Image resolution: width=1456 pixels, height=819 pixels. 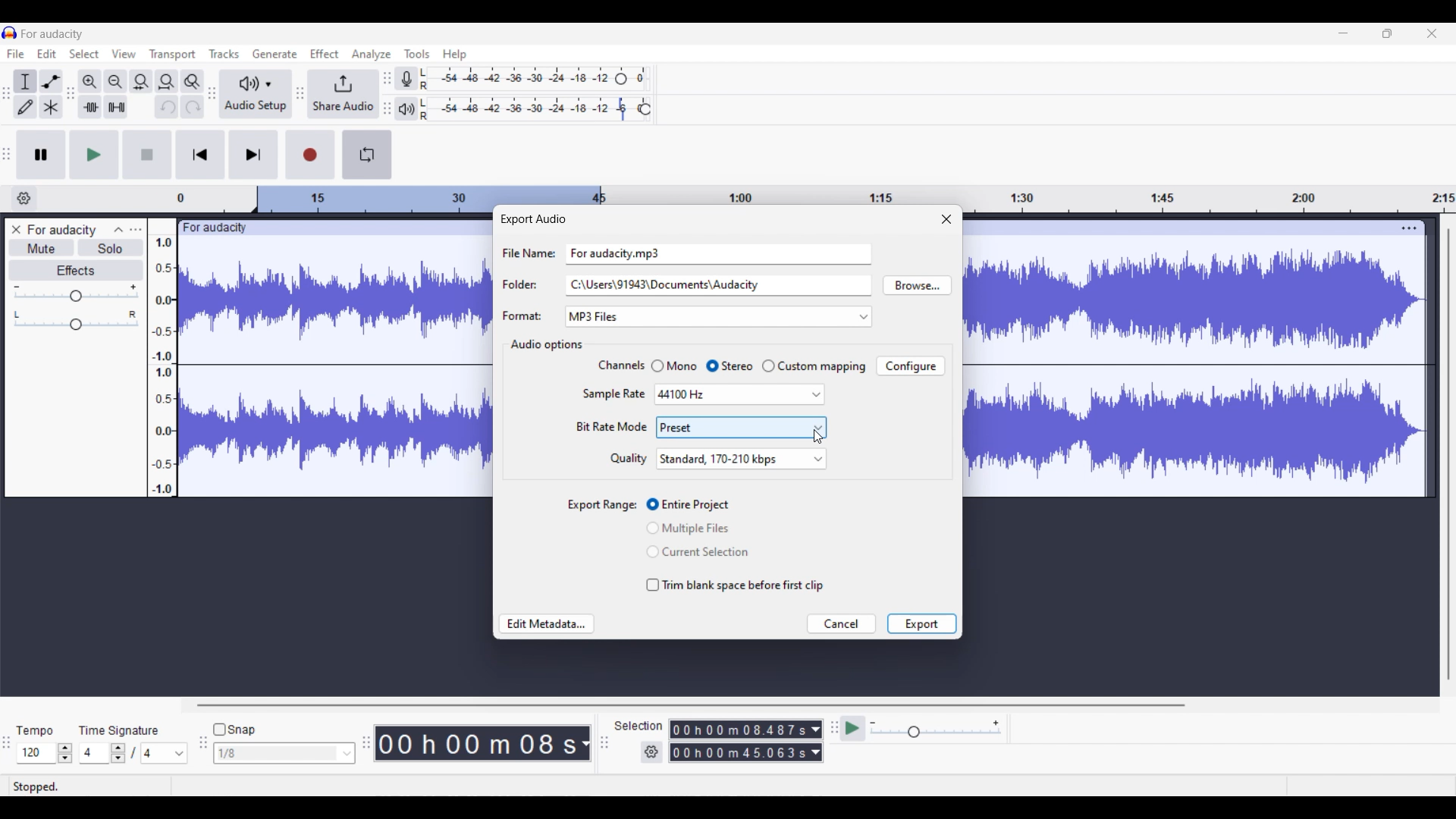 I want to click on Text box for File Name, so click(x=719, y=253).